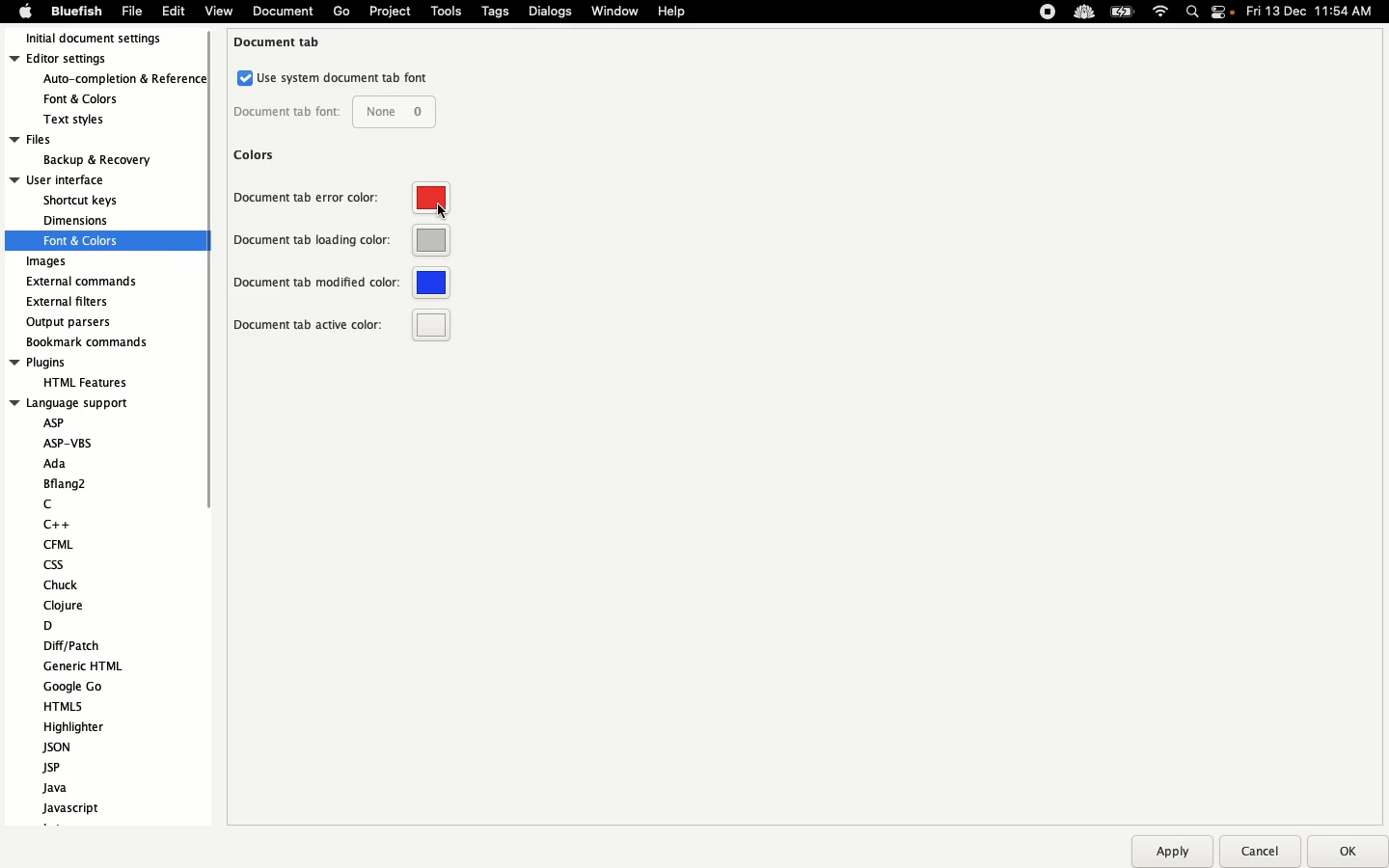  What do you see at coordinates (616, 13) in the screenshot?
I see `Window` at bounding box center [616, 13].